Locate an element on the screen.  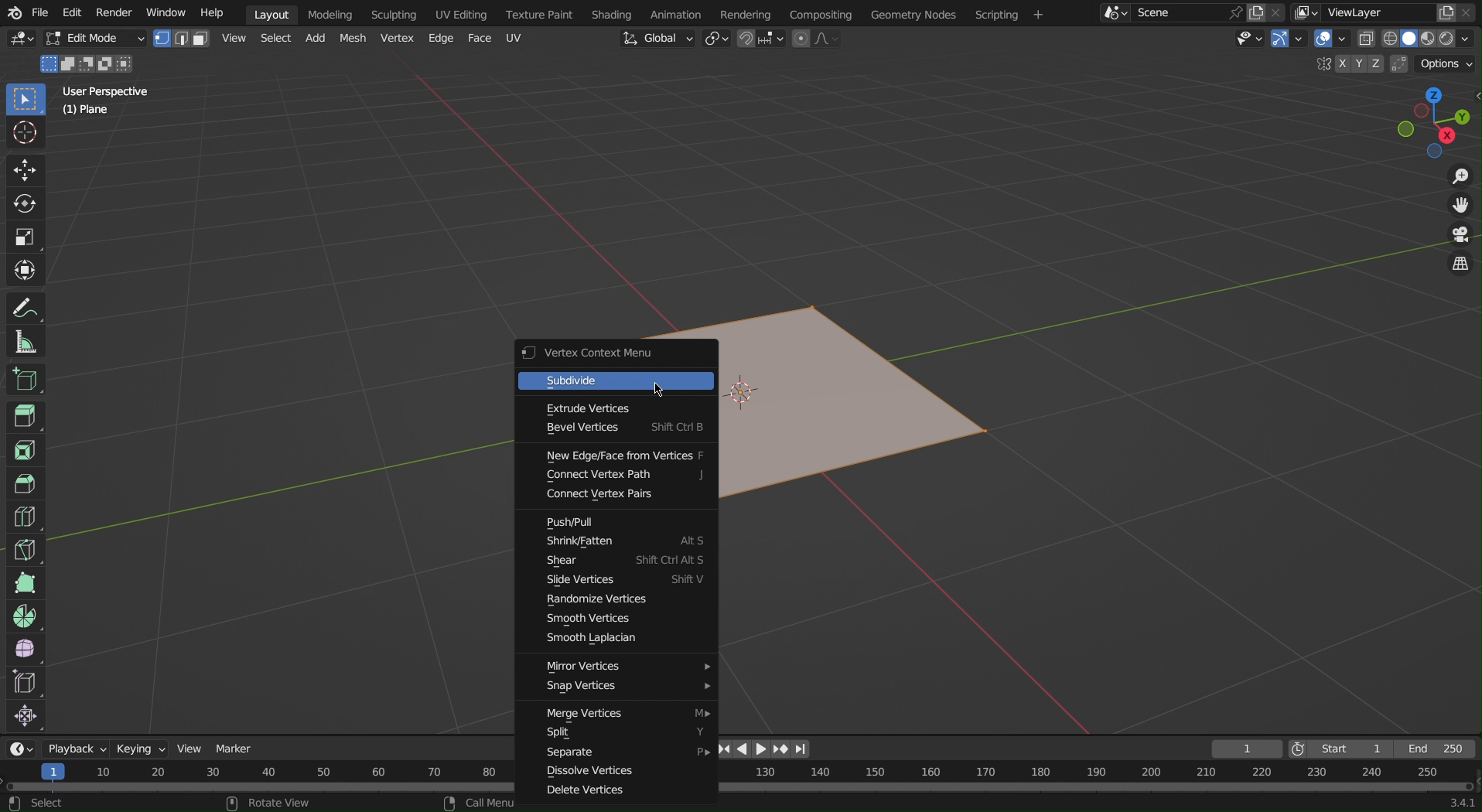
Rotate View is located at coordinates (275, 803).